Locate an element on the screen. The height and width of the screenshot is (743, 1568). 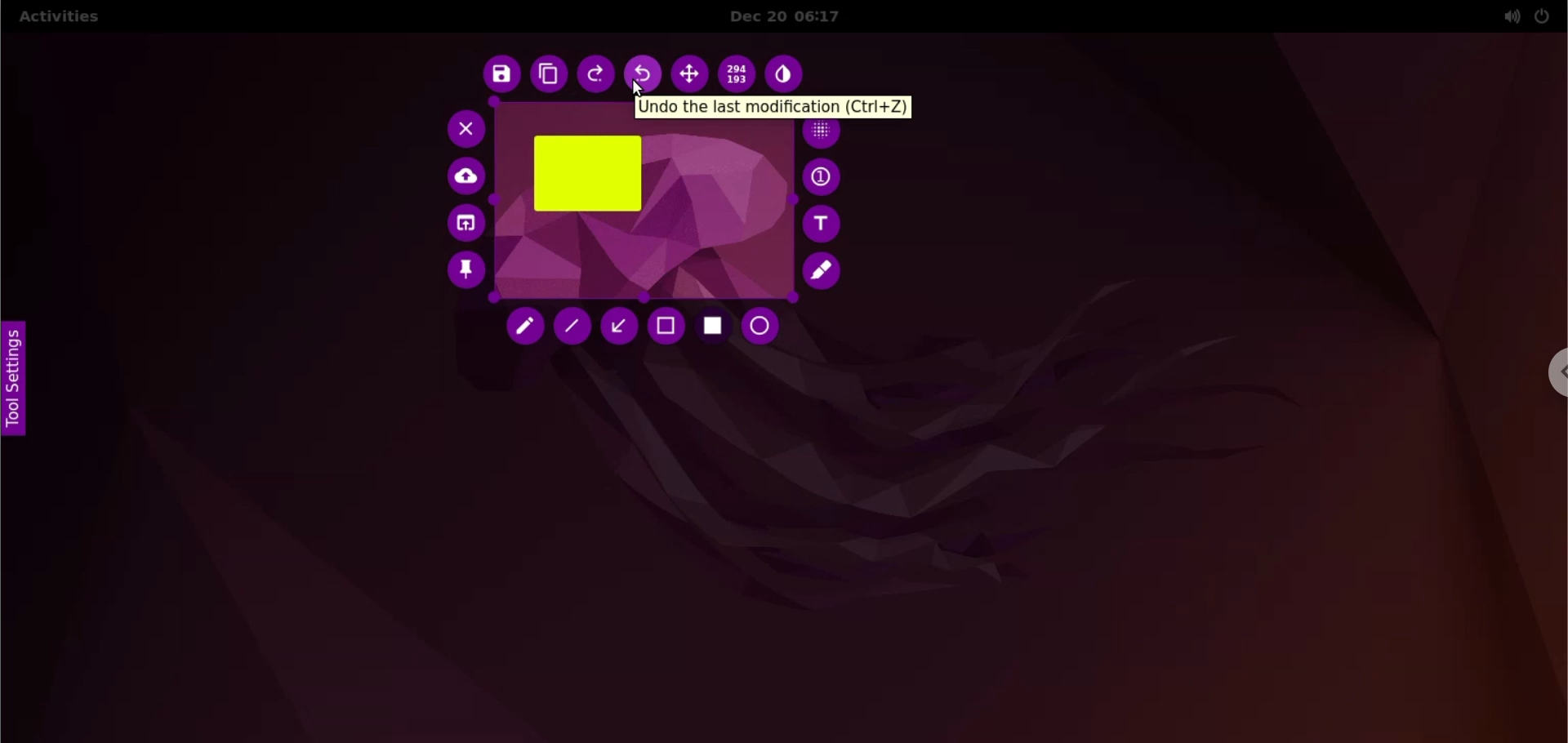
save is located at coordinates (498, 75).